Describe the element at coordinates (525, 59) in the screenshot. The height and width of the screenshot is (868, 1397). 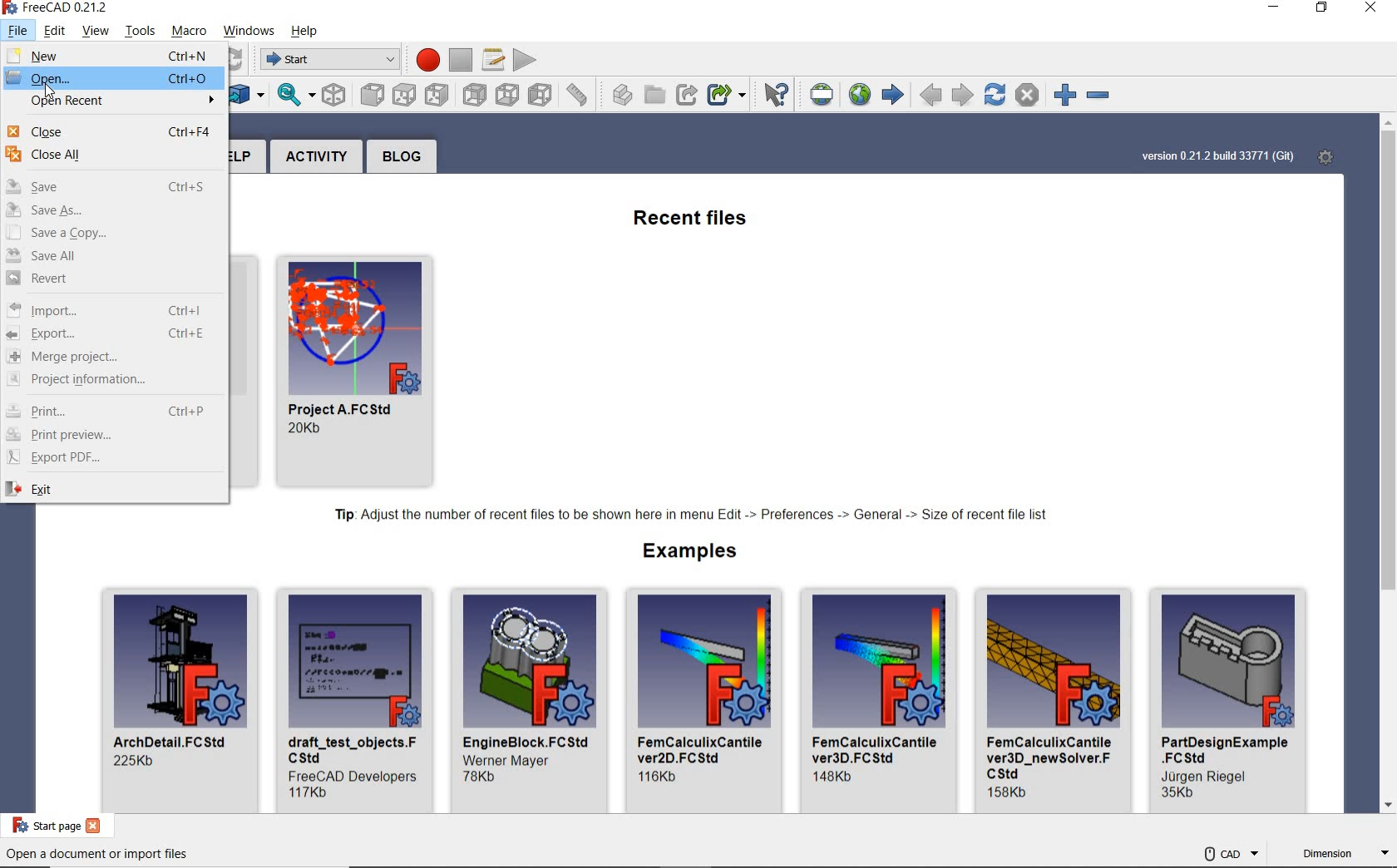
I see `EXECUTE MACRO` at that location.